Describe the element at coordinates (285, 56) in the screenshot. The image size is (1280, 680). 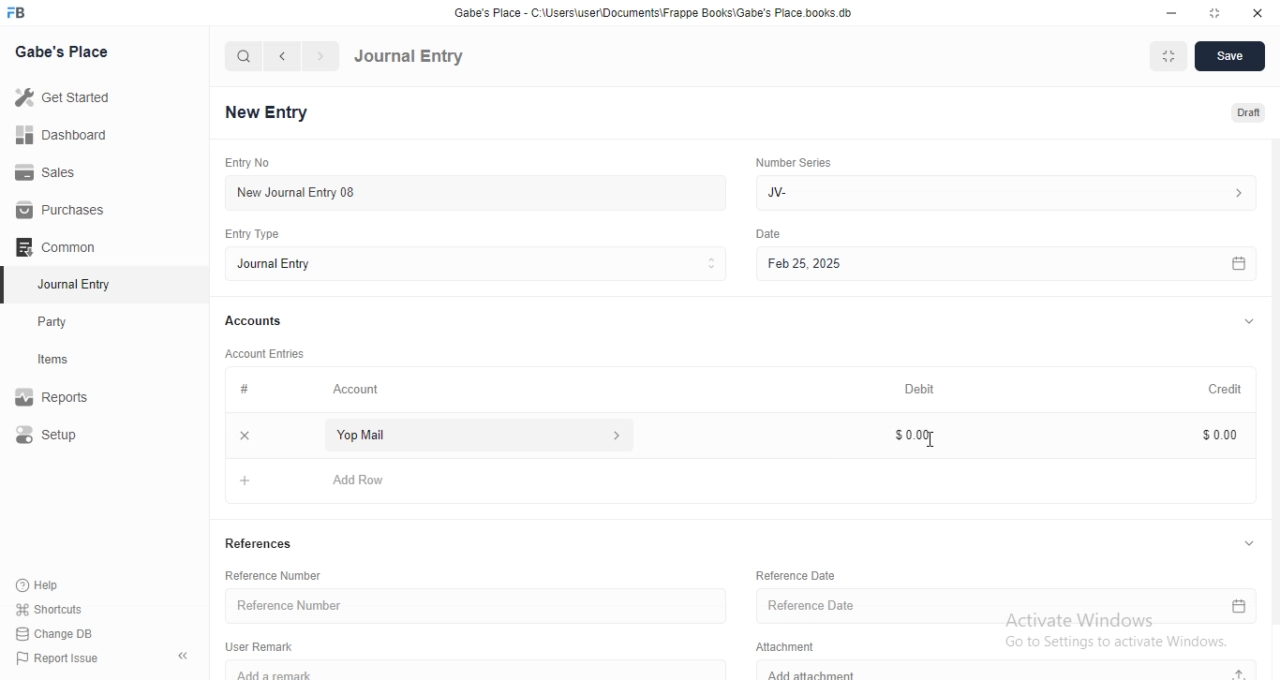
I see `navigate backward` at that location.